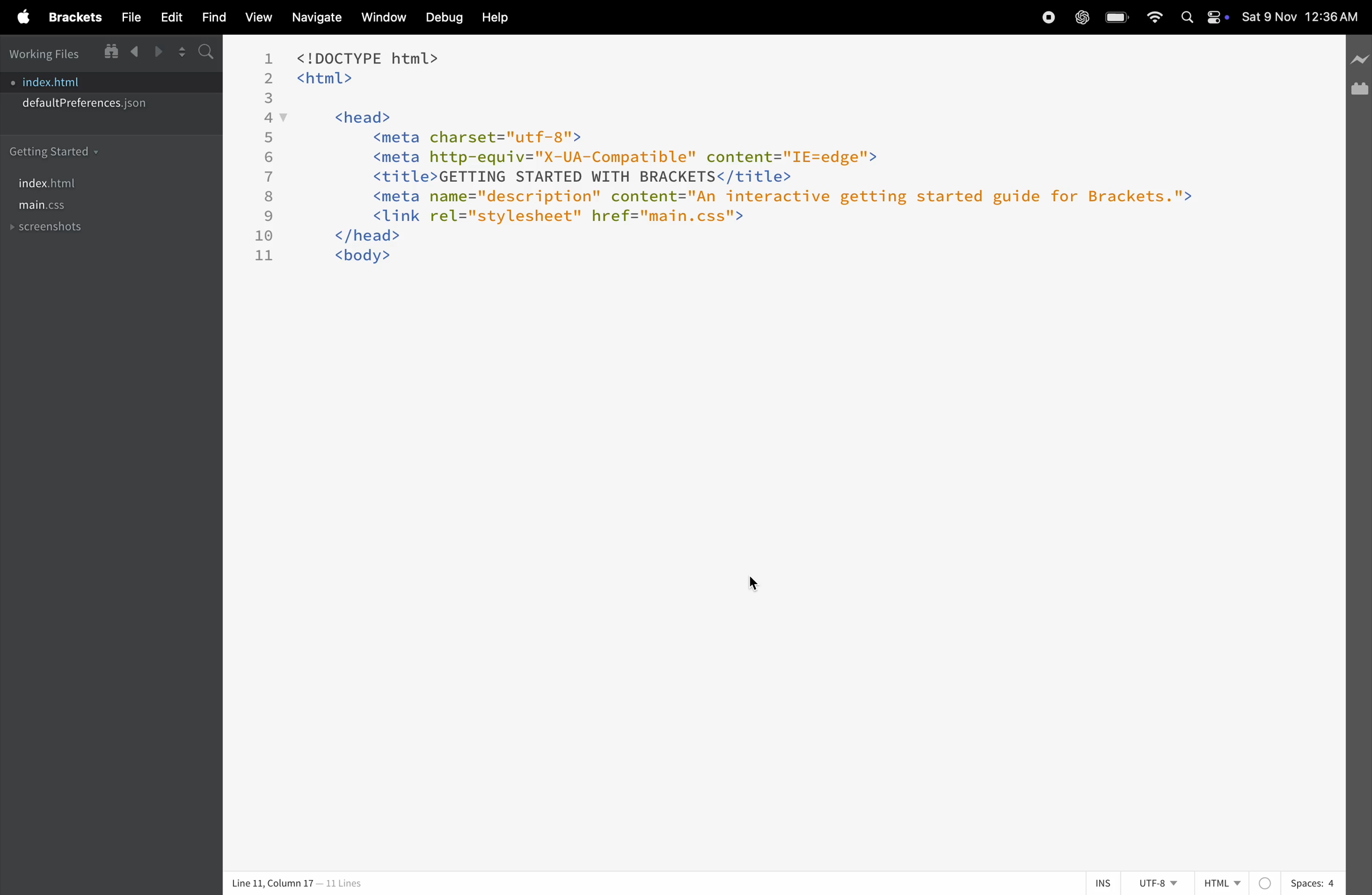 The width and height of the screenshot is (1372, 895). Describe the element at coordinates (25, 17) in the screenshot. I see `apple menu` at that location.